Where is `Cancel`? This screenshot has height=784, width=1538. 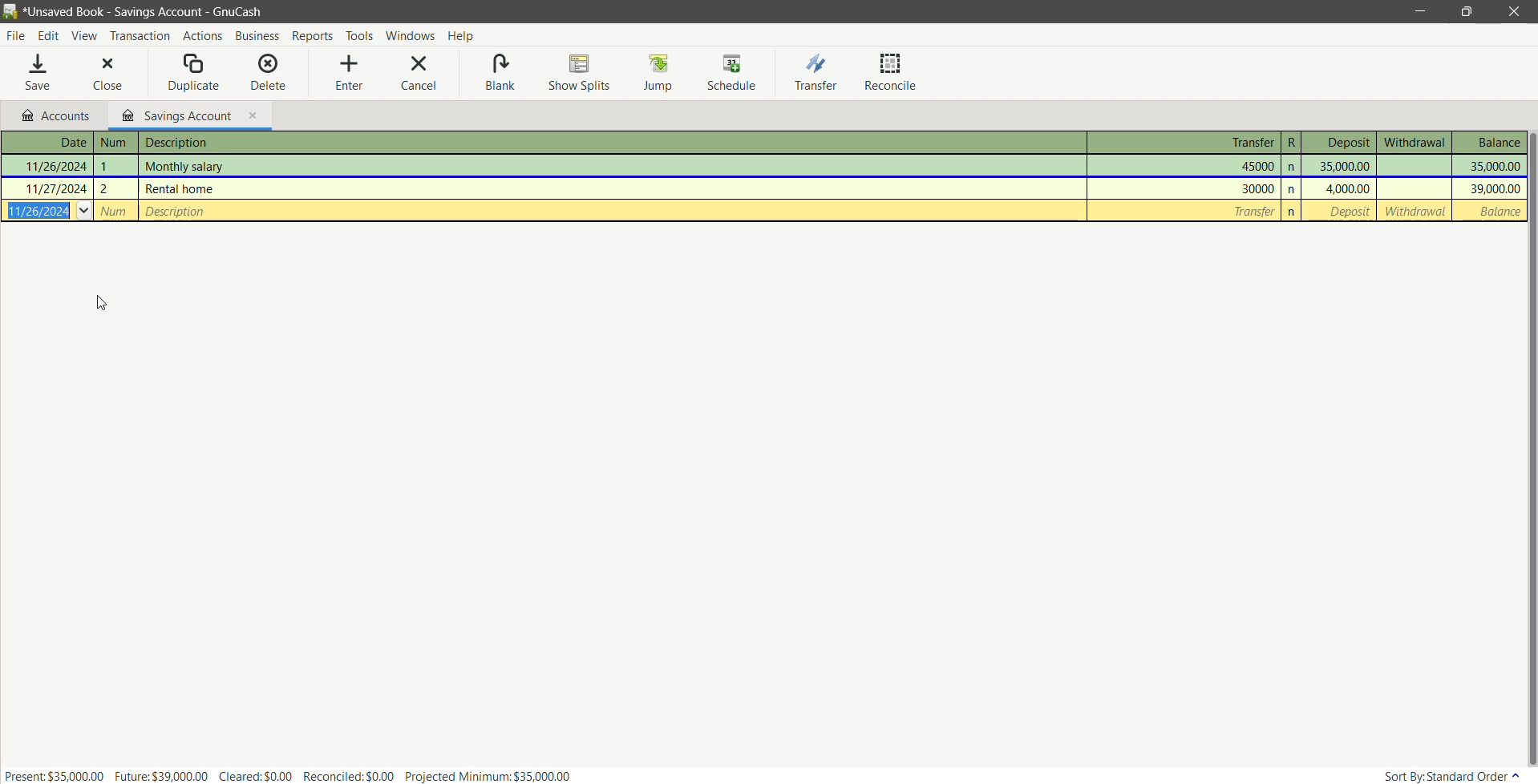 Cancel is located at coordinates (421, 74).